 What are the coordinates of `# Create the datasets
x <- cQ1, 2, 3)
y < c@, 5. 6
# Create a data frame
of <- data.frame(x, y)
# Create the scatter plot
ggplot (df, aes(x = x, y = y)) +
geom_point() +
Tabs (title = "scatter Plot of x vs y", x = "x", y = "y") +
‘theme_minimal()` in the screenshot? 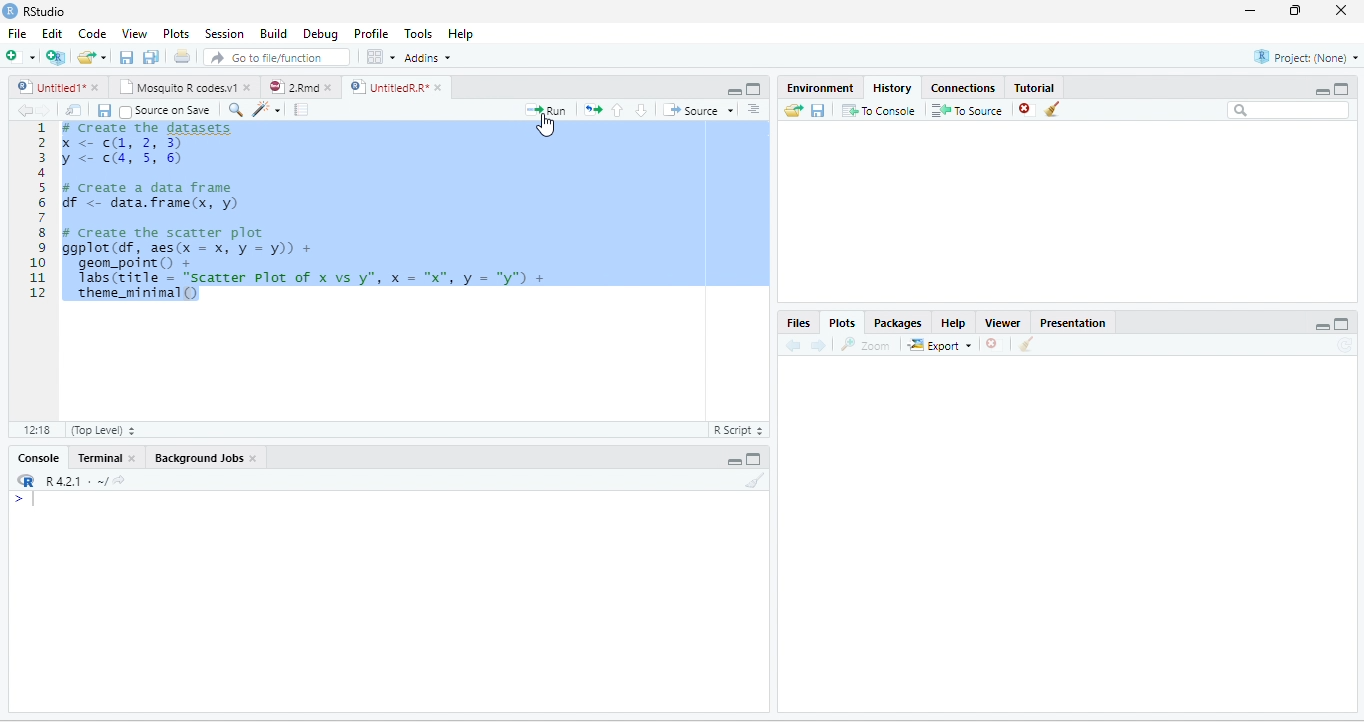 It's located at (308, 214).